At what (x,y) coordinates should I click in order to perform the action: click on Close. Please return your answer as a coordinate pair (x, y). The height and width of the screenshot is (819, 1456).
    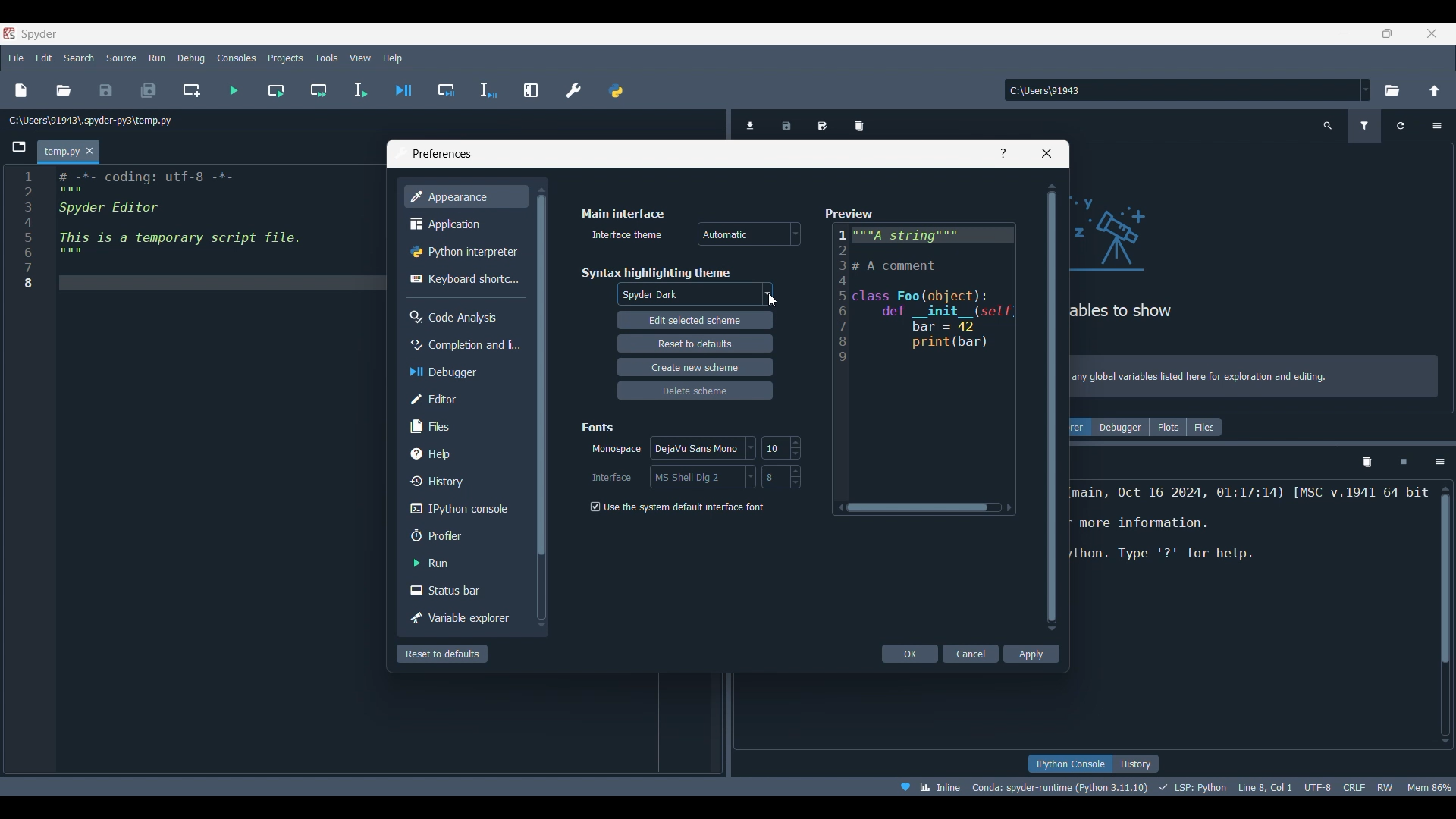
    Looking at the image, I should click on (1046, 153).